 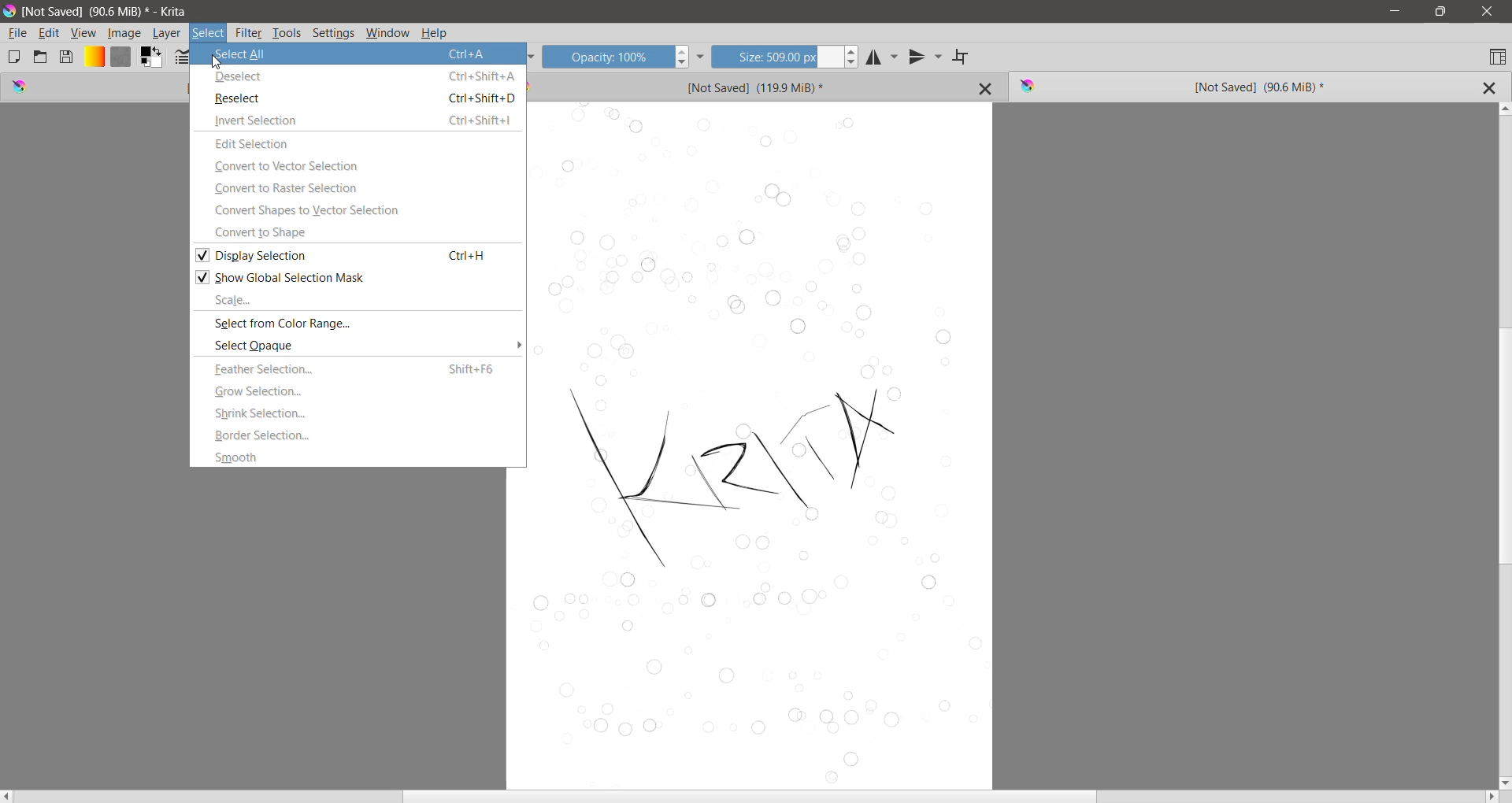 What do you see at coordinates (358, 54) in the screenshot?
I see `Select All` at bounding box center [358, 54].